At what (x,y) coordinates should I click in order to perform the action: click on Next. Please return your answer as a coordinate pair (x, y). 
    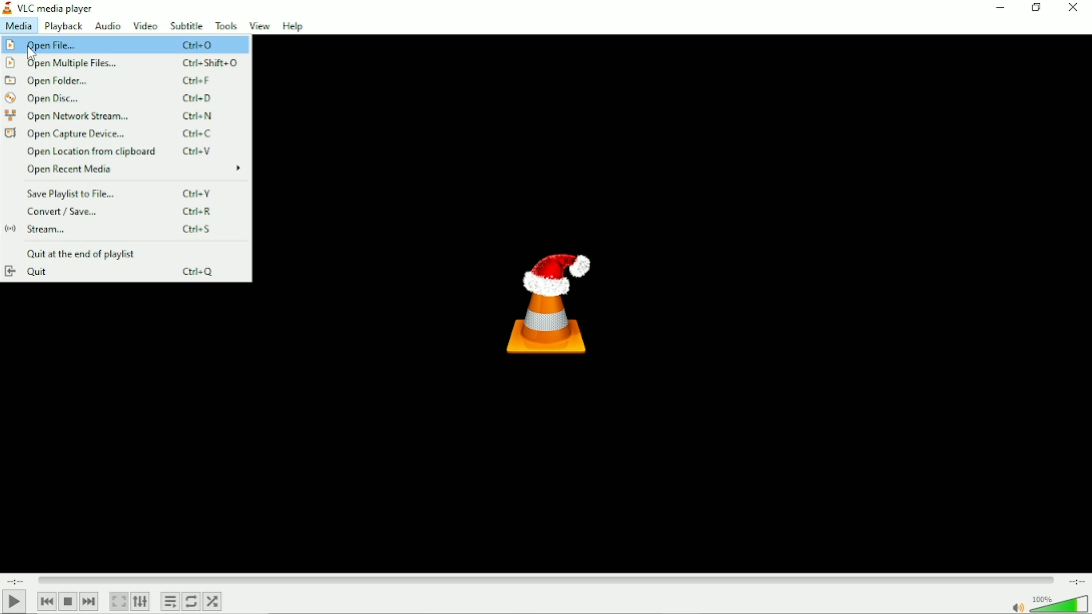
    Looking at the image, I should click on (90, 601).